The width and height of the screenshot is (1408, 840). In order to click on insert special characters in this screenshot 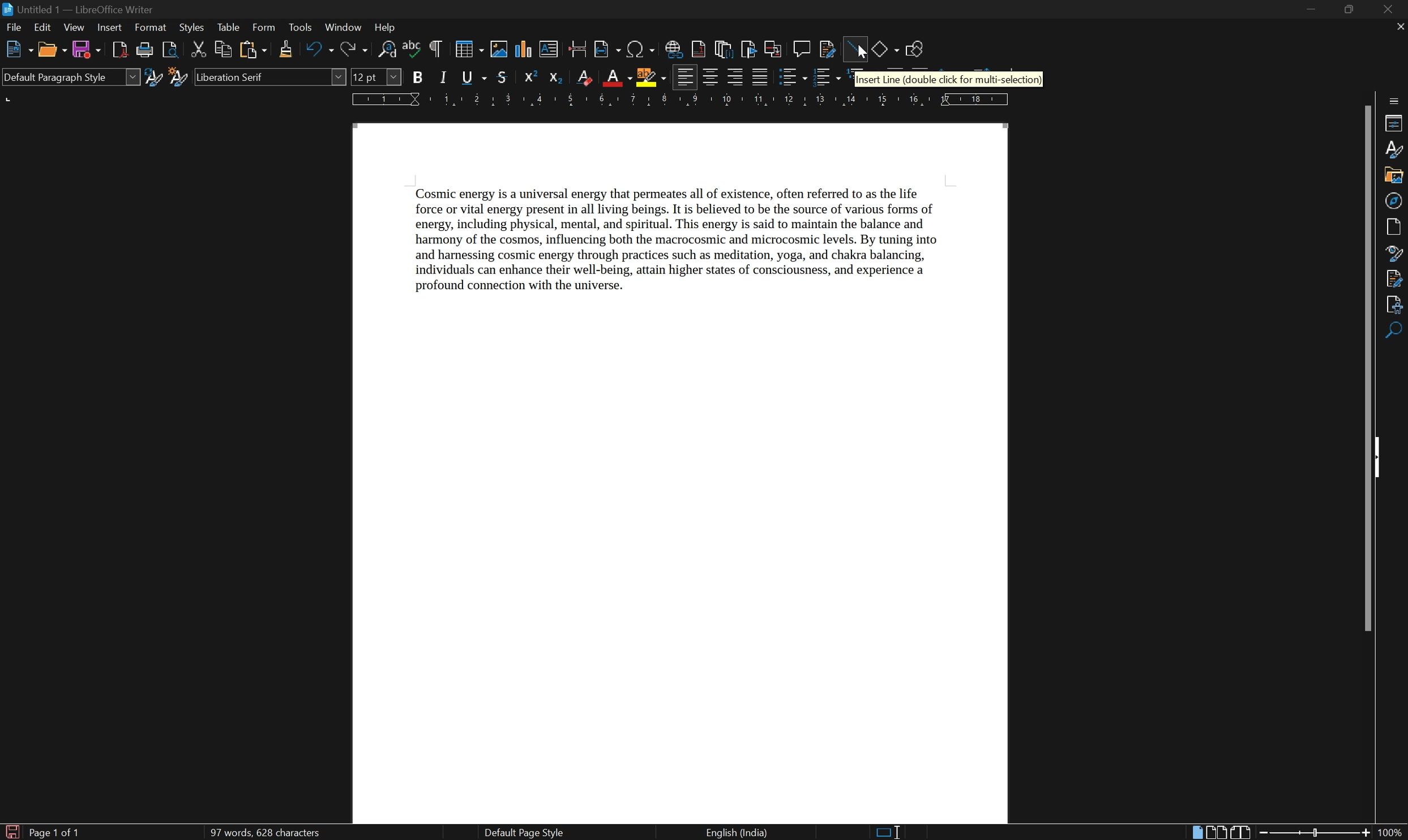, I will do `click(641, 49)`.